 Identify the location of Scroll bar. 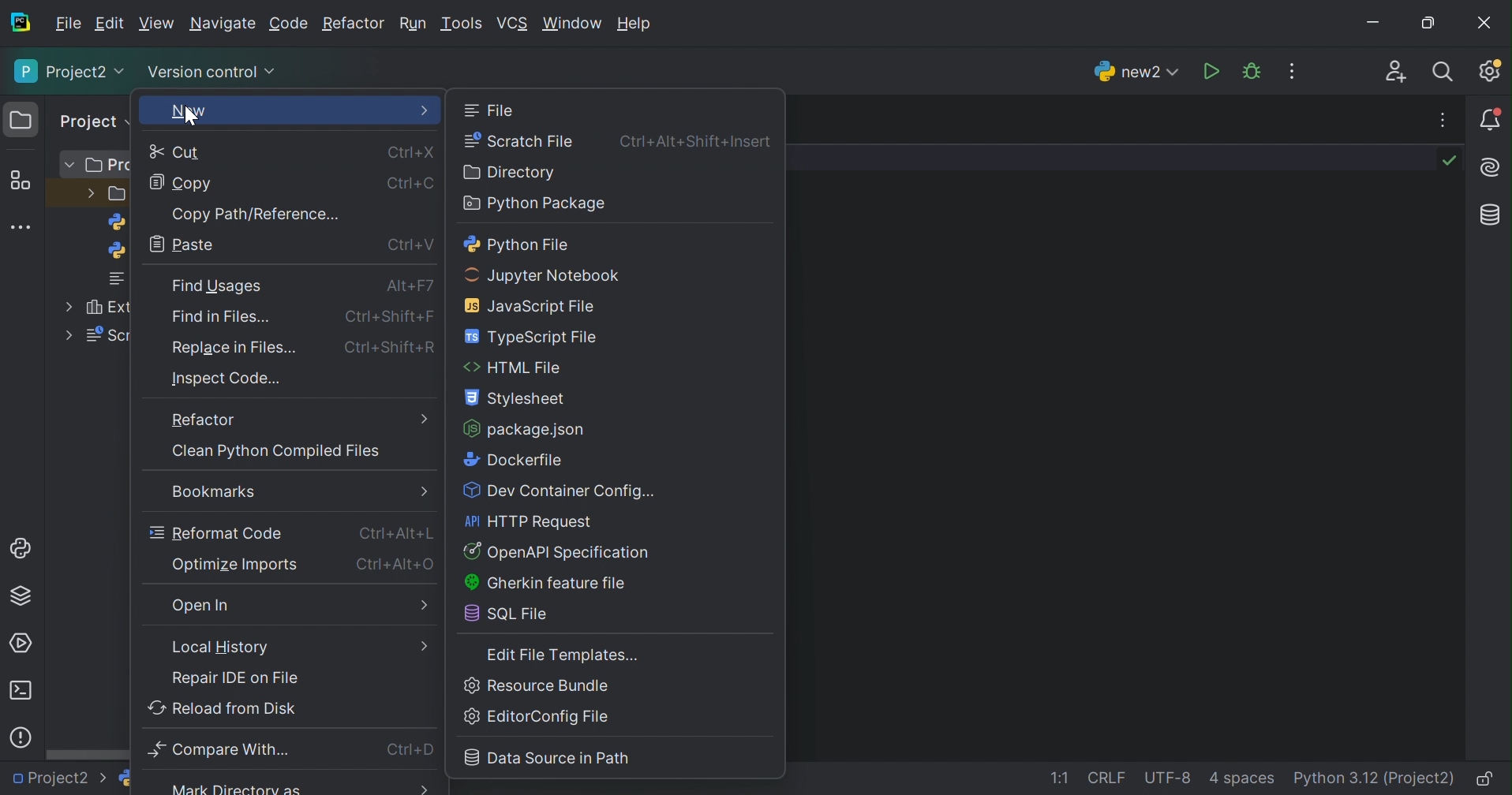
(89, 755).